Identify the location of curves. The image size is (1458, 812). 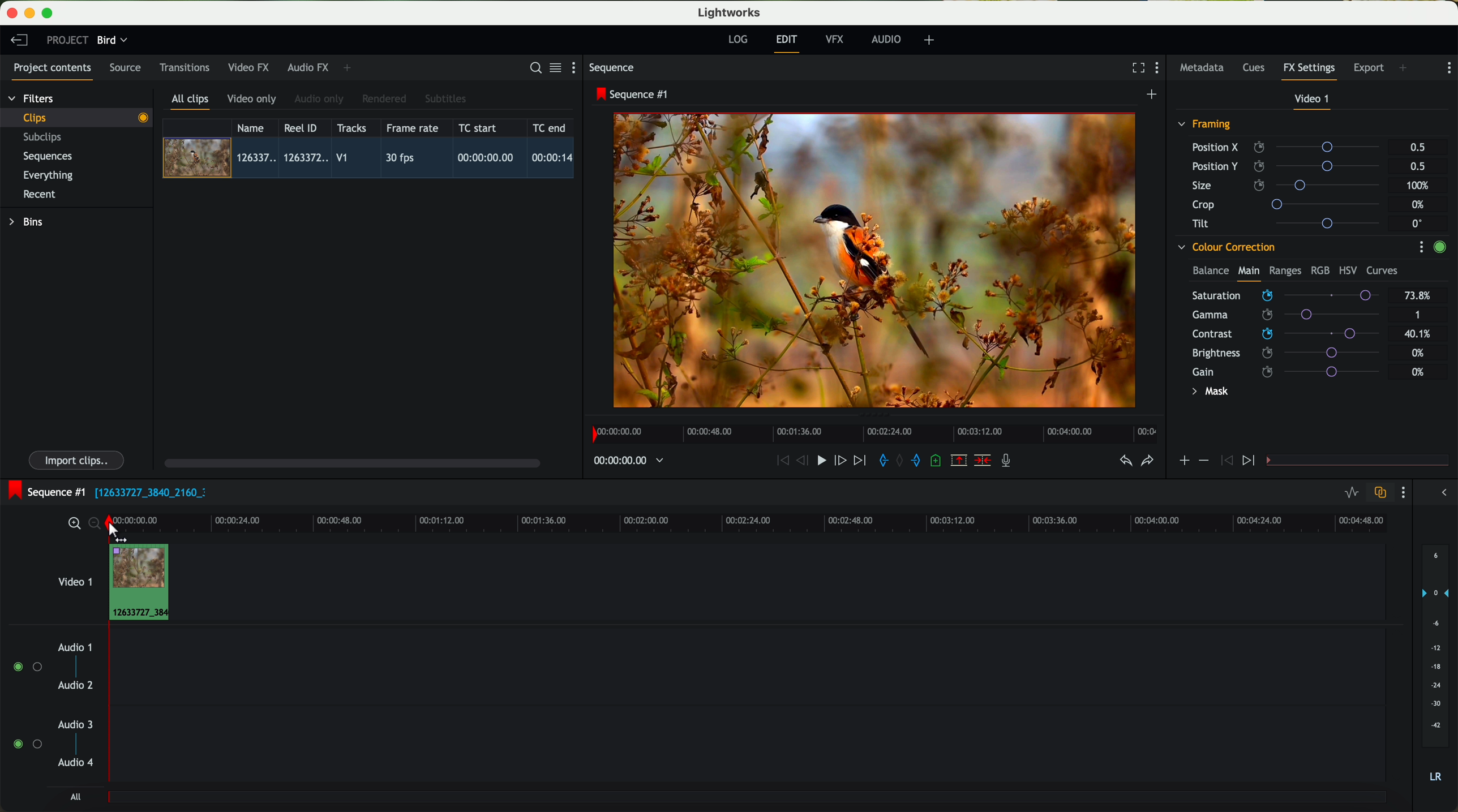
(1382, 271).